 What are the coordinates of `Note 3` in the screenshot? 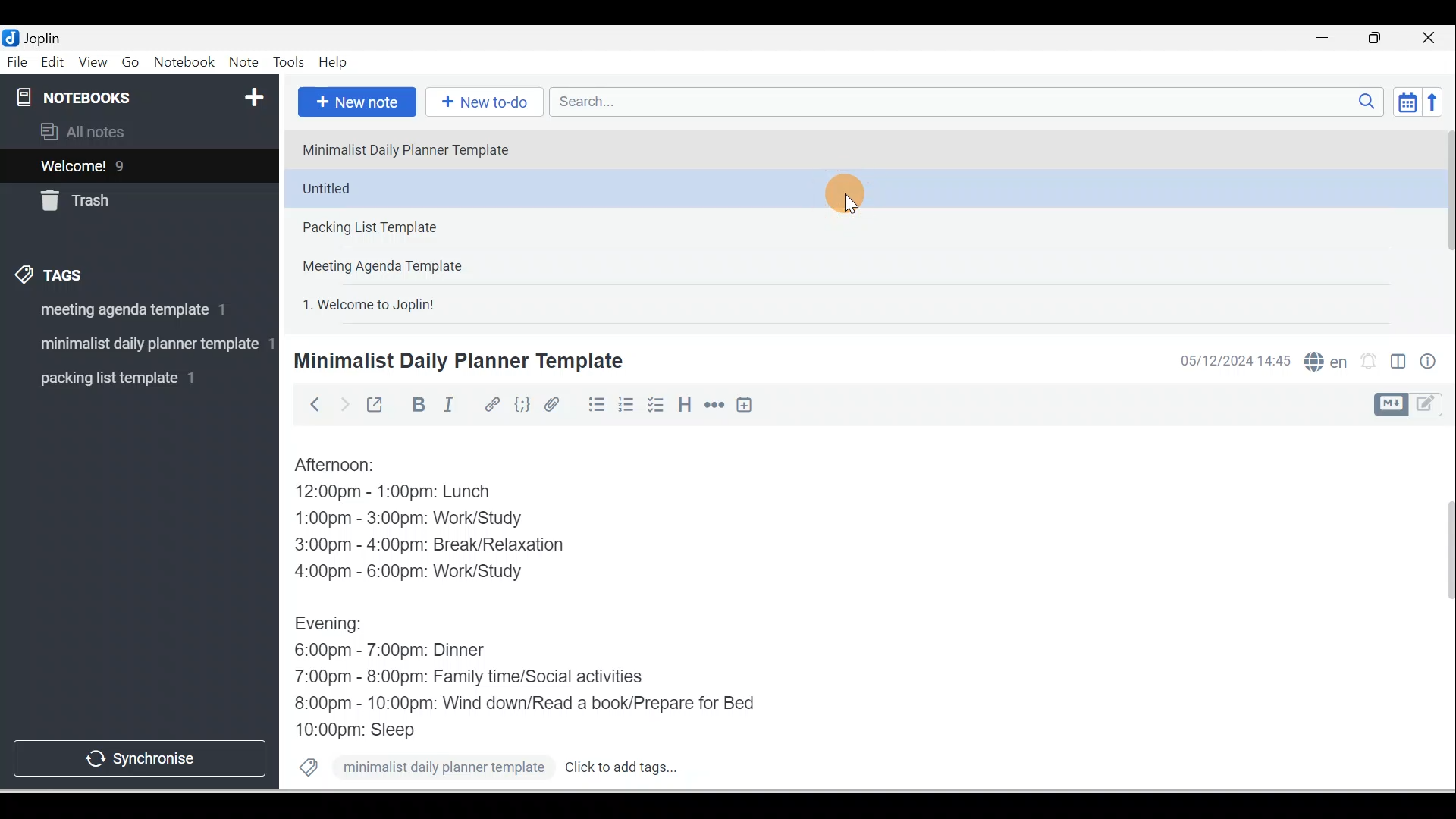 It's located at (418, 228).